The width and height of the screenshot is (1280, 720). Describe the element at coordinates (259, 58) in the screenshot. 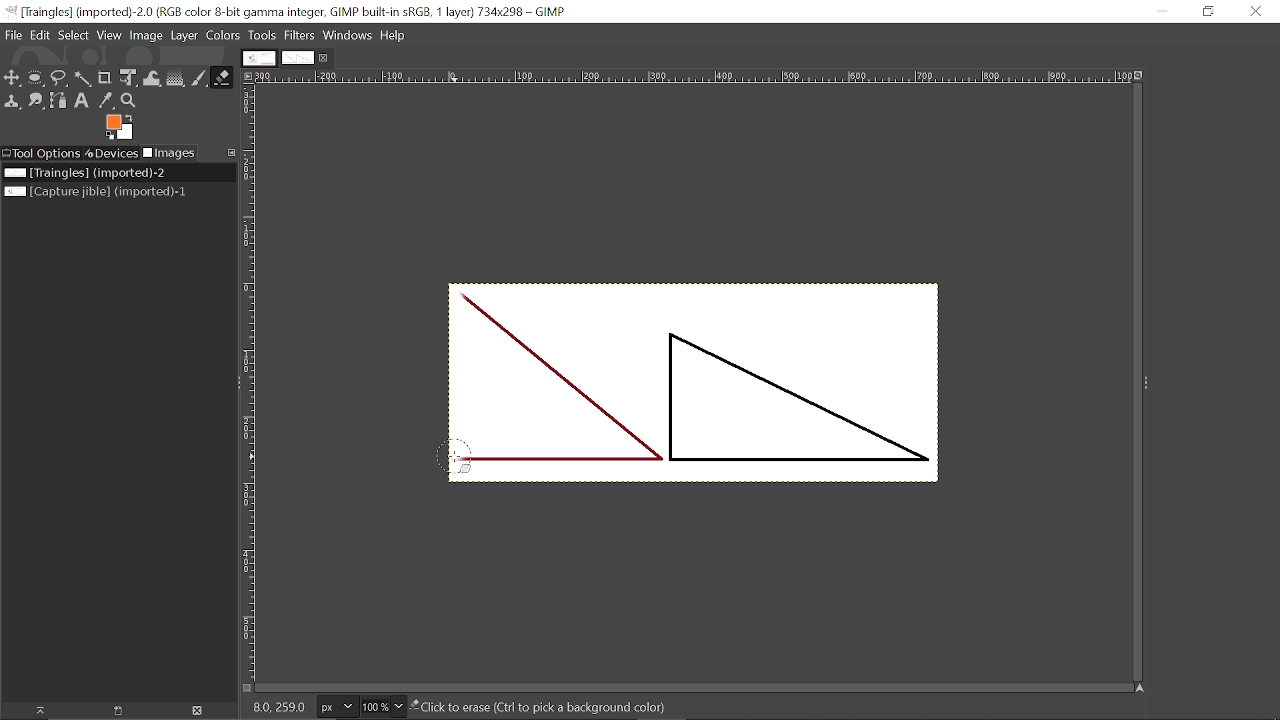

I see `Other tab` at that location.